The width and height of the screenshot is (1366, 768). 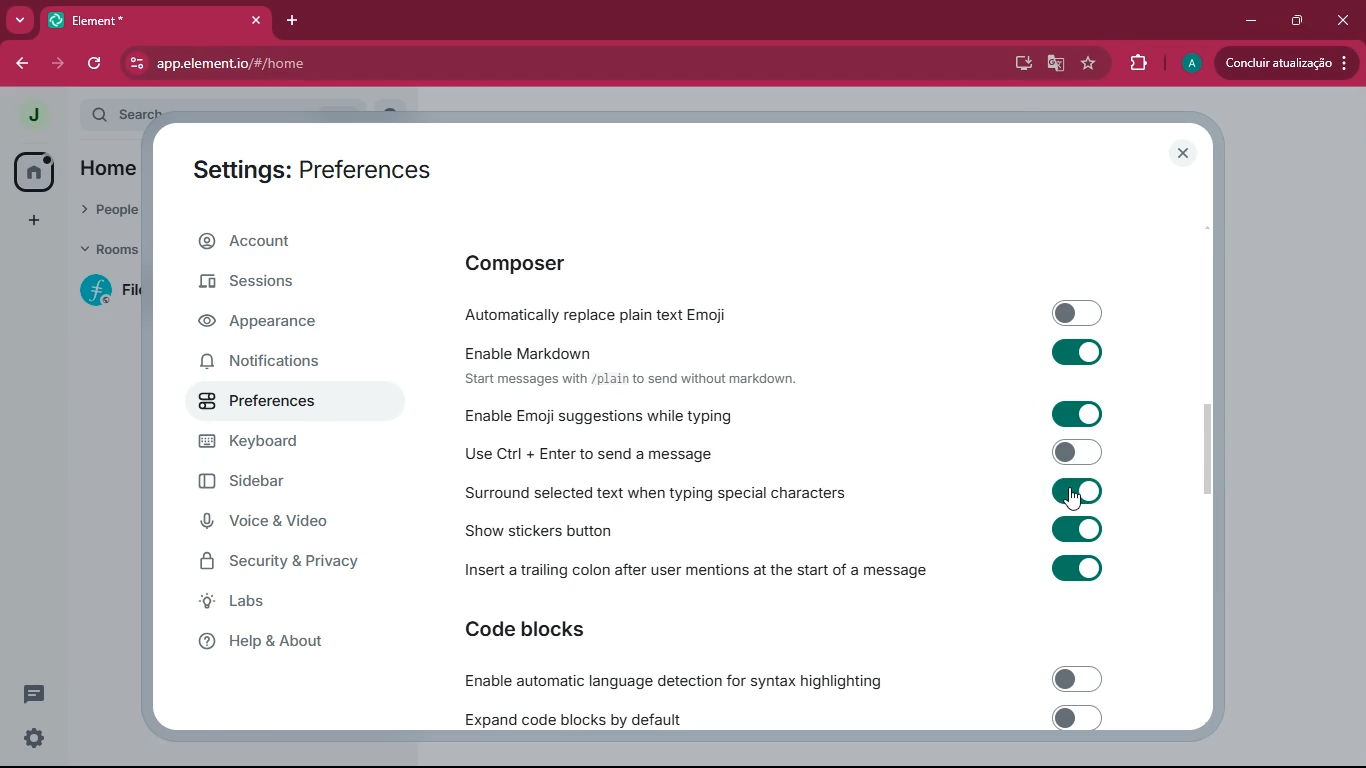 I want to click on back, so click(x=23, y=61).